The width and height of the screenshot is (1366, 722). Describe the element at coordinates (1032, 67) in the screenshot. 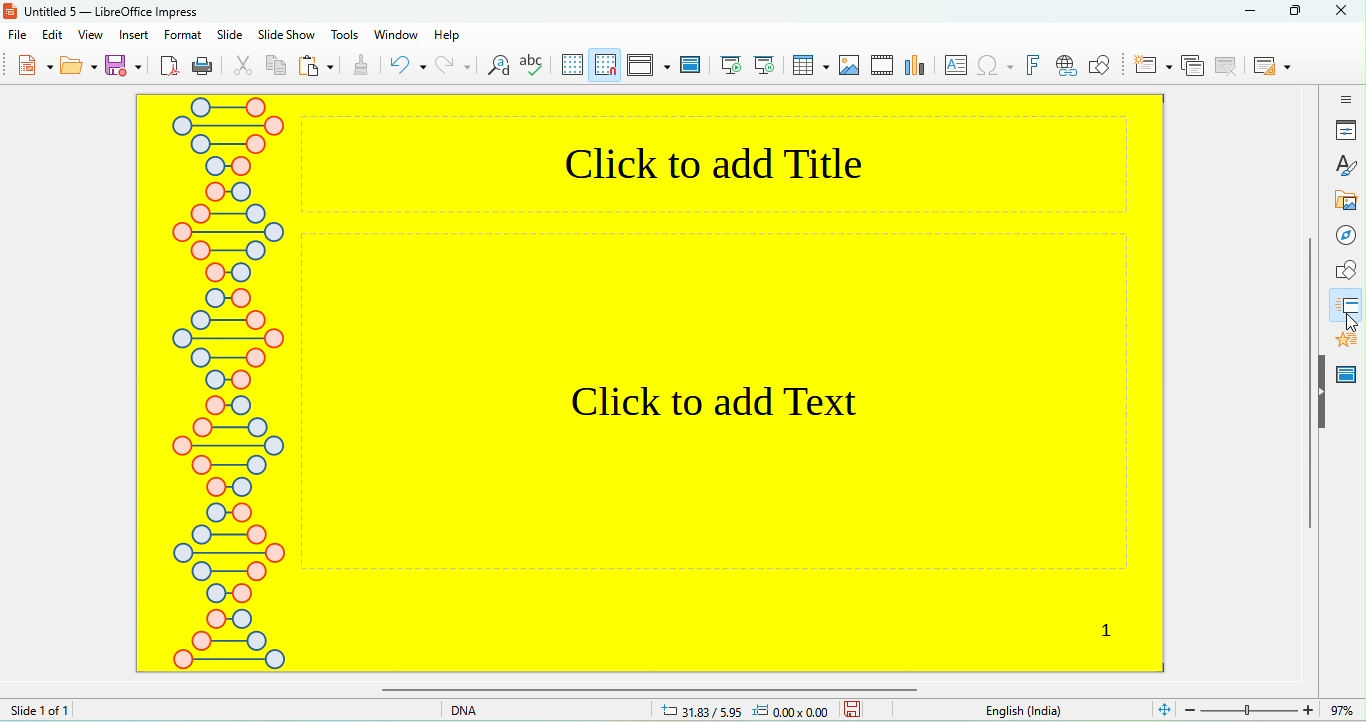

I see `fontwork text ` at that location.